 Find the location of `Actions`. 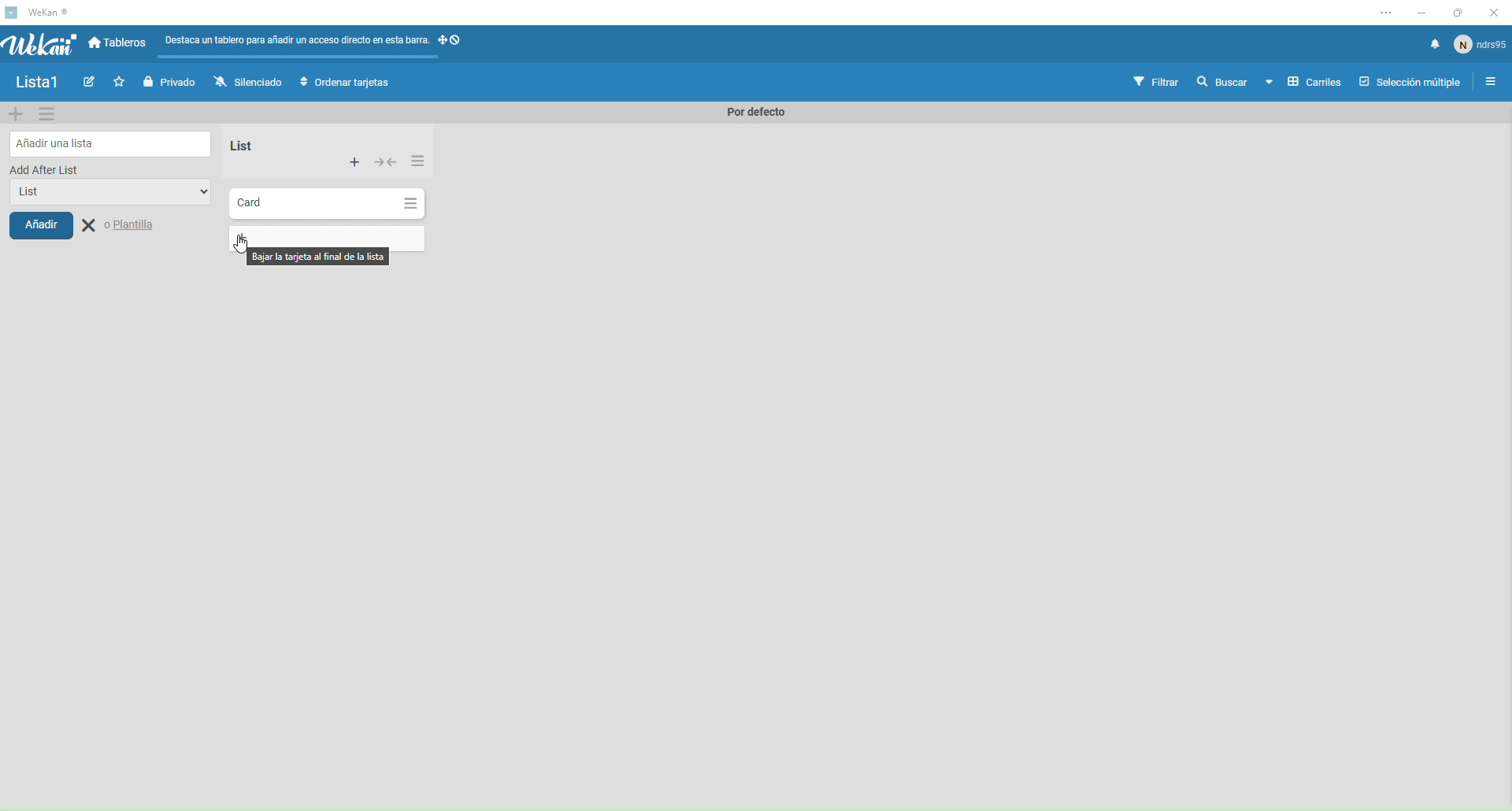

Actions is located at coordinates (454, 45).